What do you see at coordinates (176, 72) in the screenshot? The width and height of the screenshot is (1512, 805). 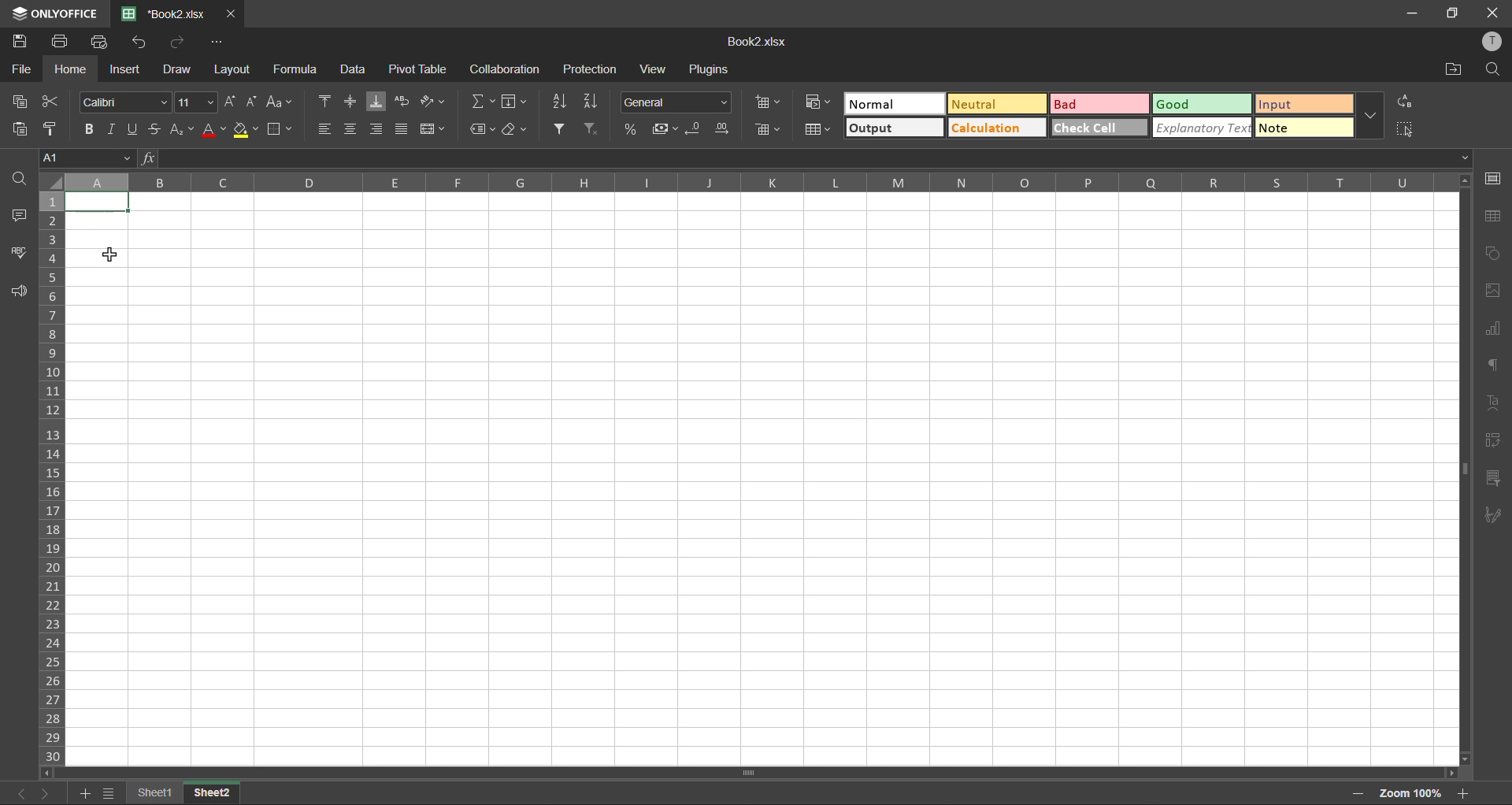 I see `draw` at bounding box center [176, 72].